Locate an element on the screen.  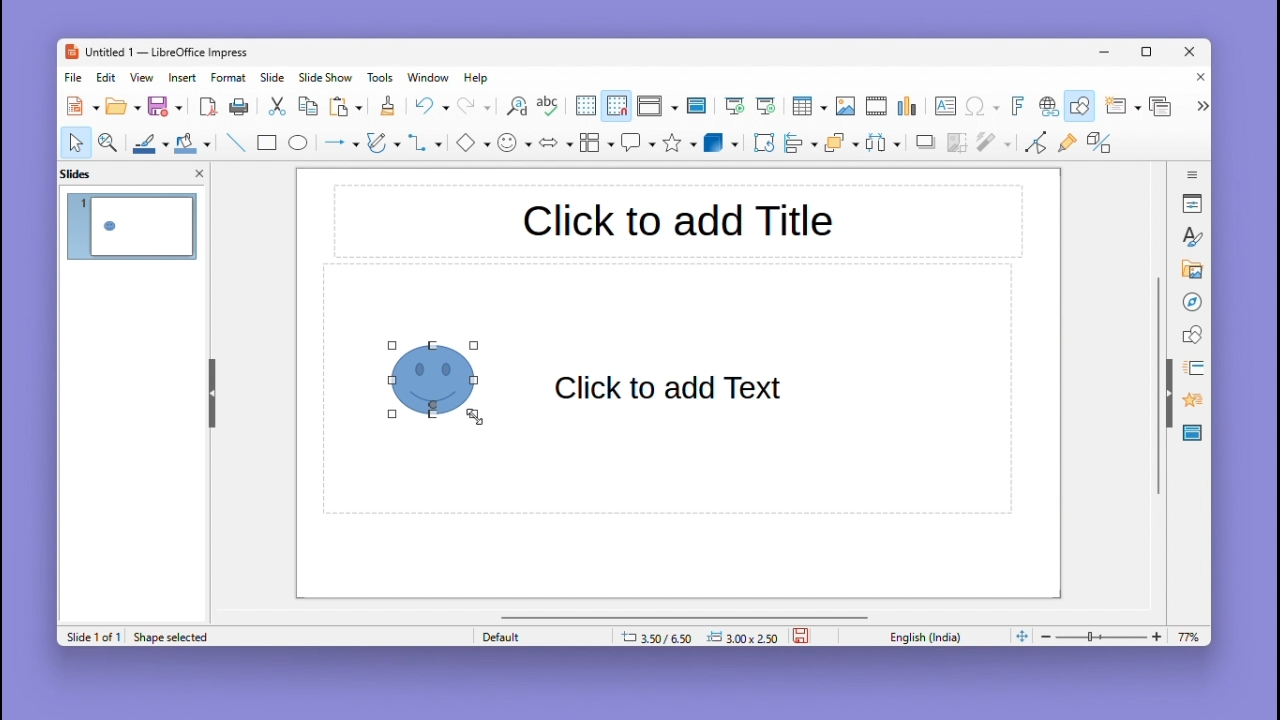
Shape Symbol (Smiley) is located at coordinates (440, 379).